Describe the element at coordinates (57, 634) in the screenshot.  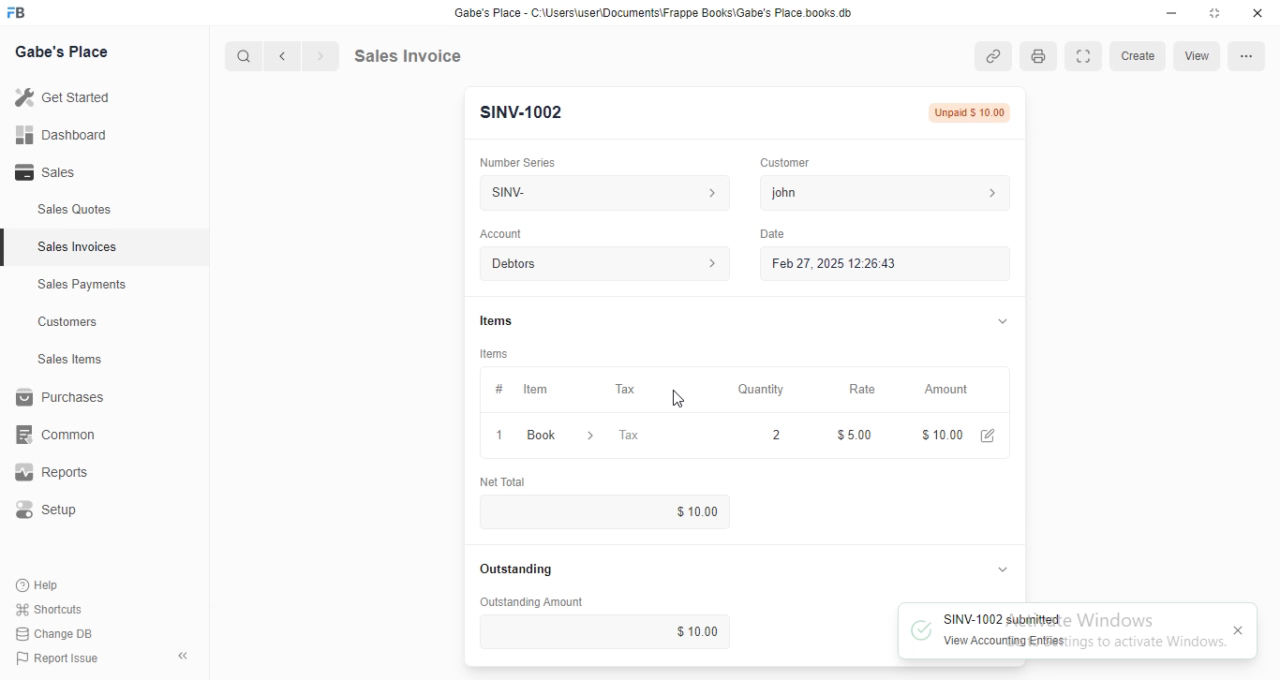
I see `Change DB` at that location.